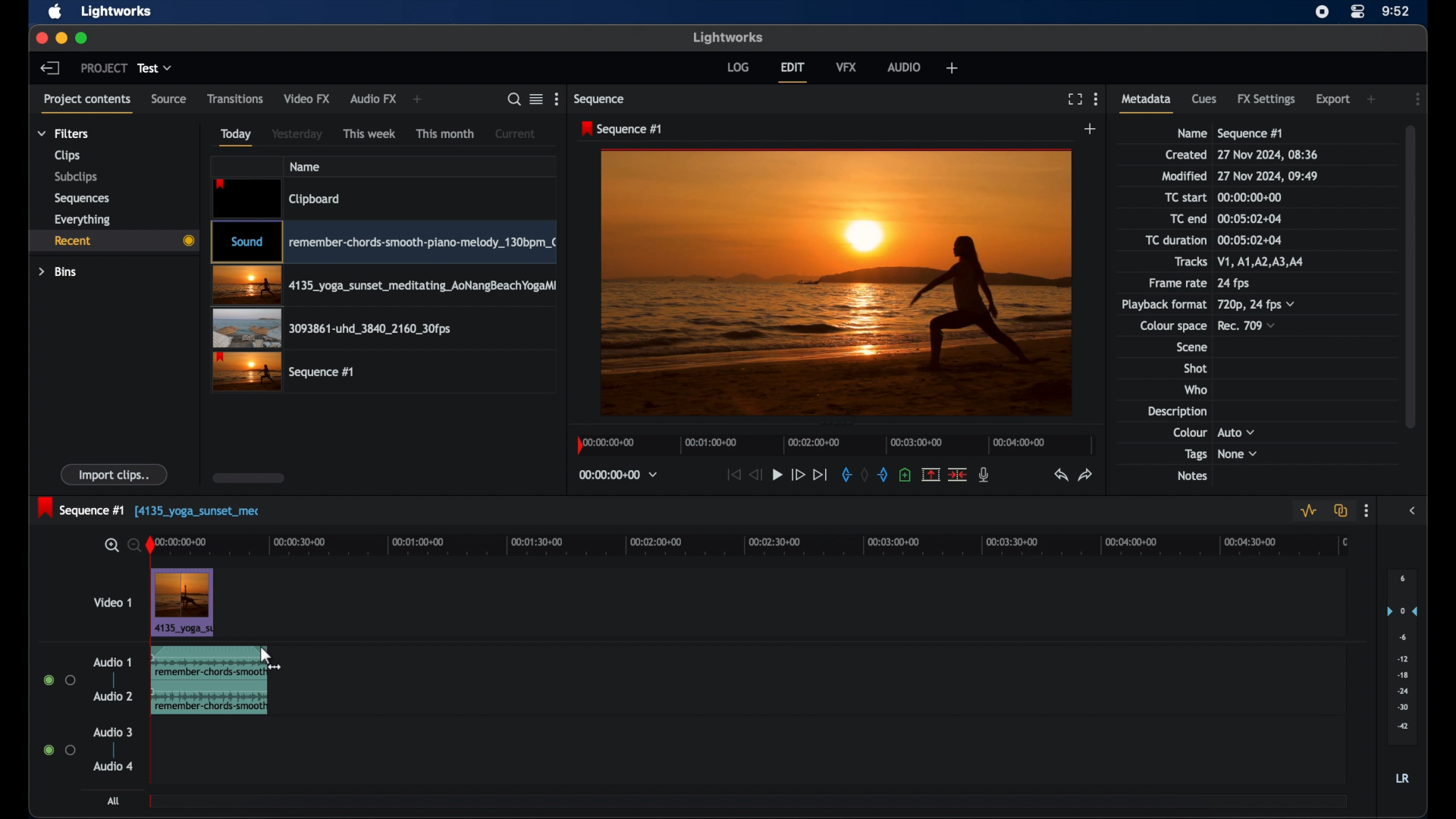 Image resolution: width=1456 pixels, height=819 pixels. What do you see at coordinates (952, 68) in the screenshot?
I see `add` at bounding box center [952, 68].